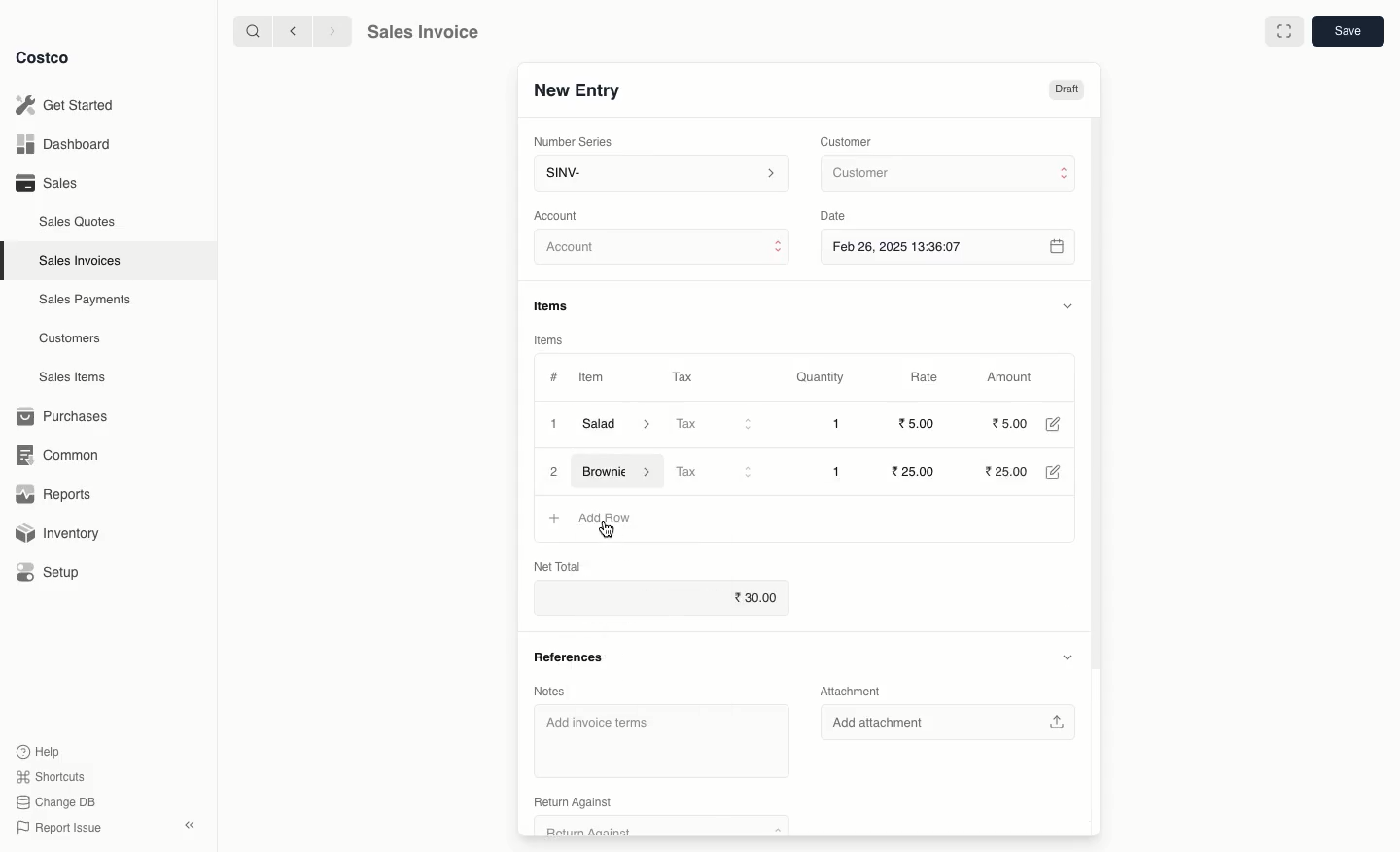 Image resolution: width=1400 pixels, height=852 pixels. What do you see at coordinates (423, 34) in the screenshot?
I see `Sales Invoice` at bounding box center [423, 34].